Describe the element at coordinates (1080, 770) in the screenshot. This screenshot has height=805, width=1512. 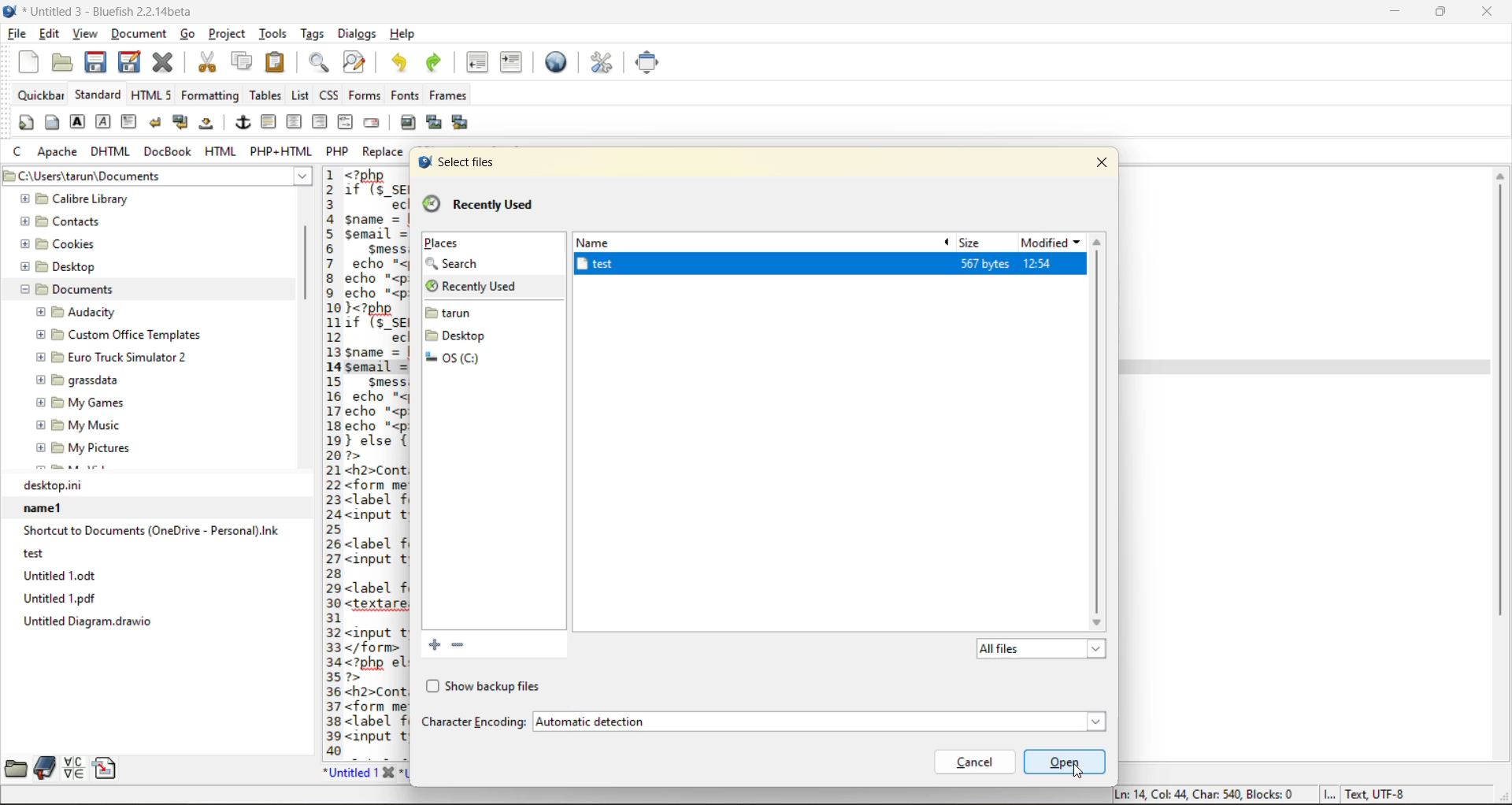
I see `cursor` at that location.